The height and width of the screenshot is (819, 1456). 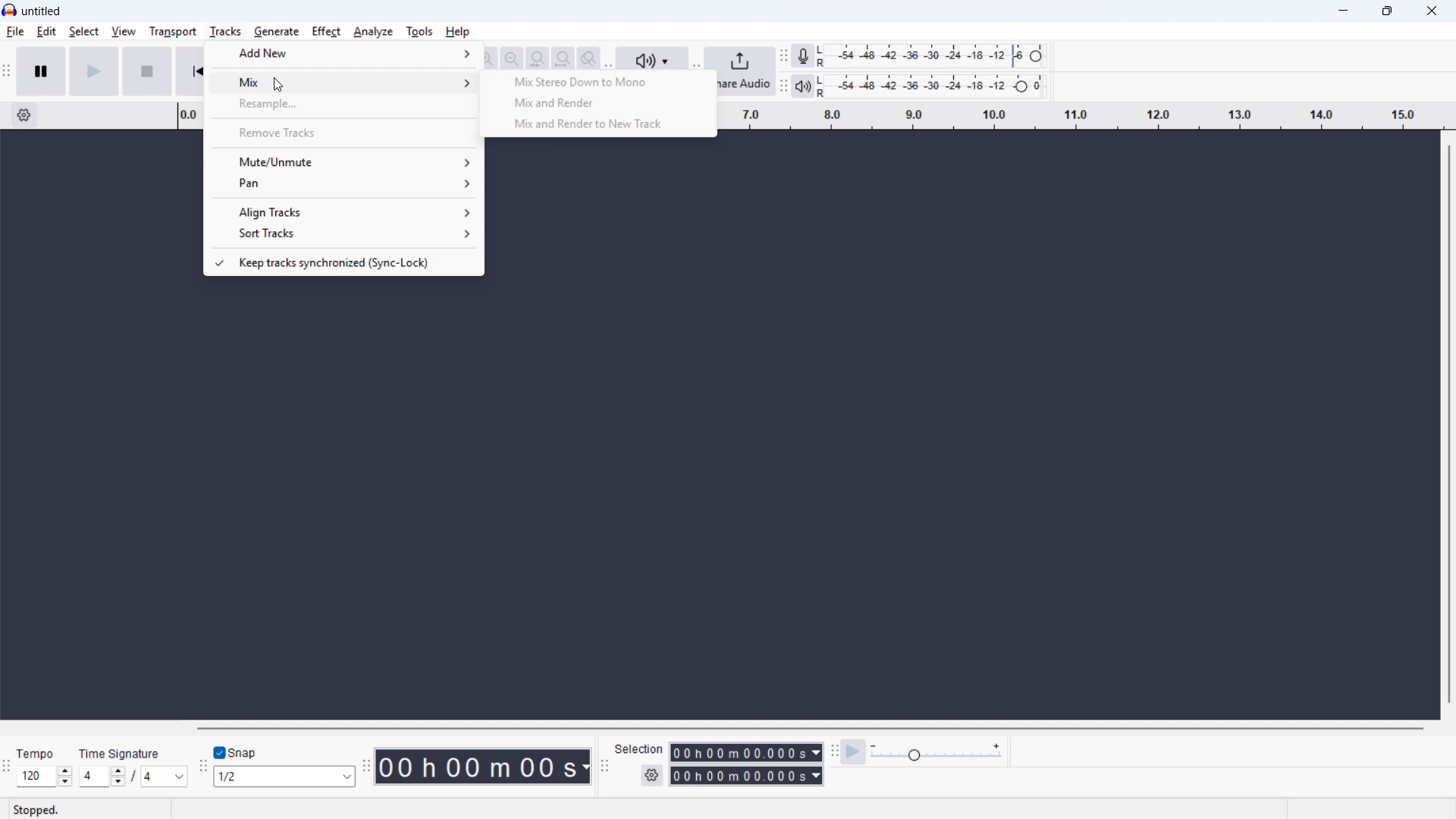 What do you see at coordinates (44, 777) in the screenshot?
I see `Set tempo ` at bounding box center [44, 777].